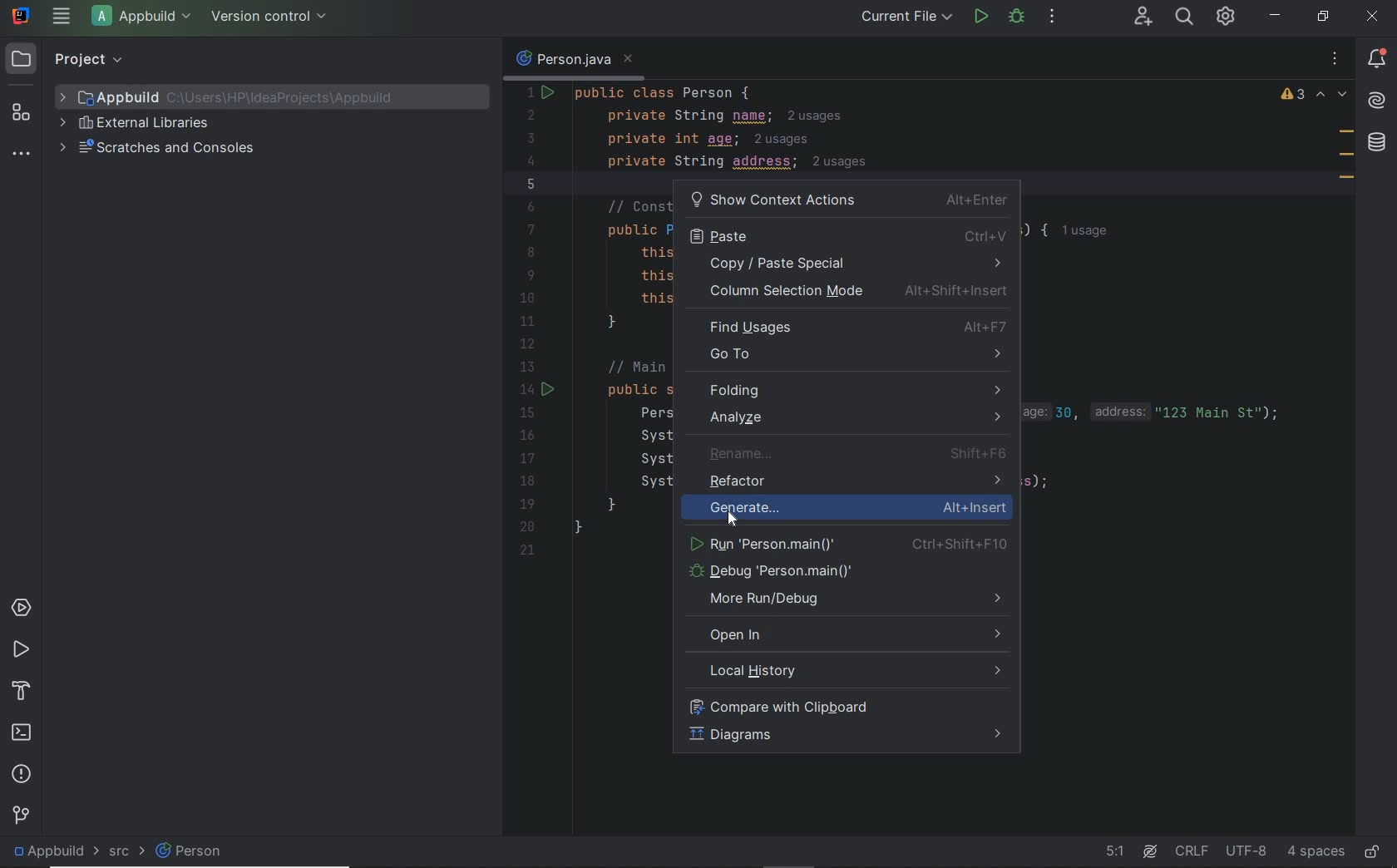  I want to click on scratches and consoles, so click(160, 147).